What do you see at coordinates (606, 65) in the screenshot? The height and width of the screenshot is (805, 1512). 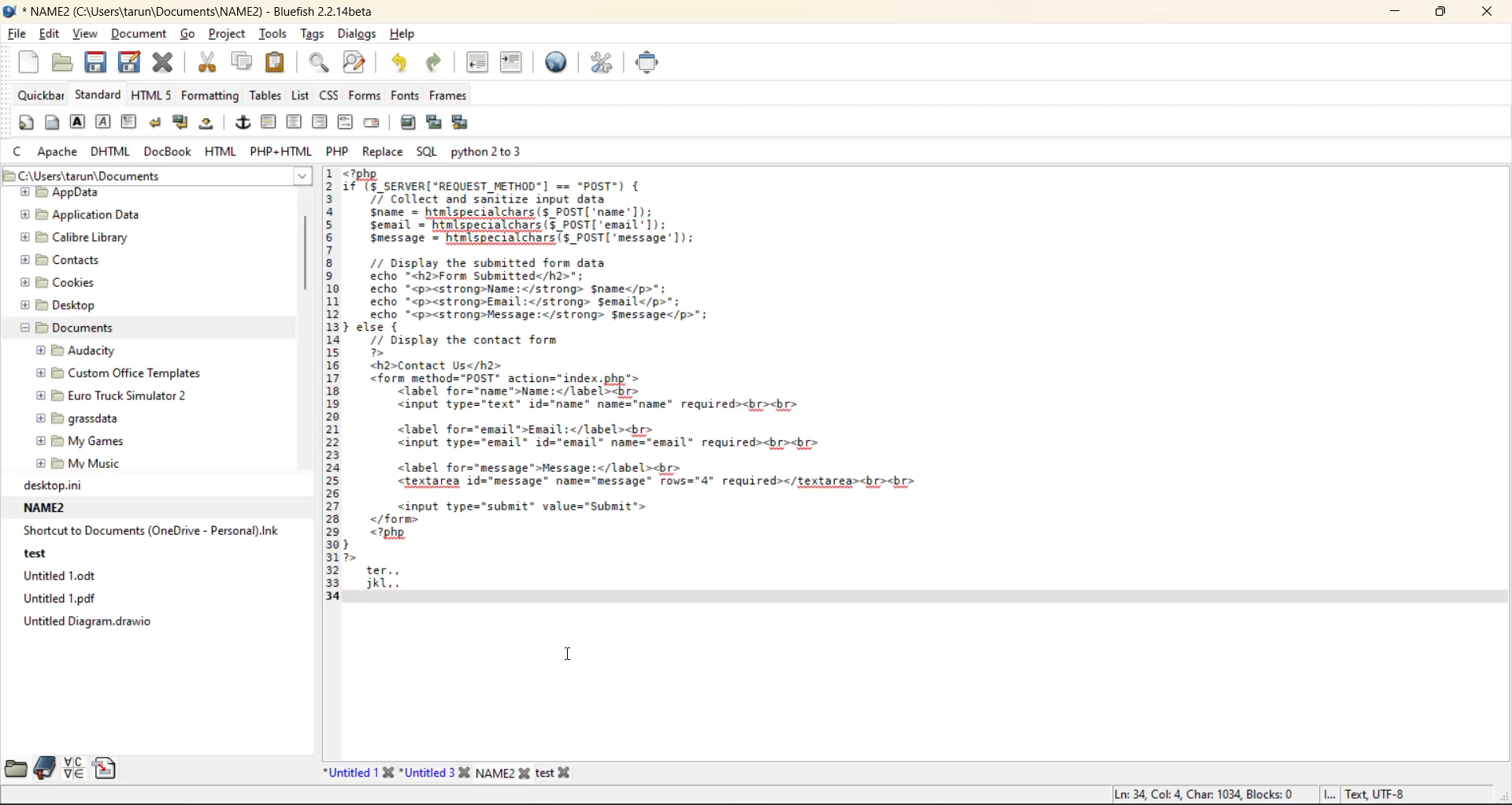 I see `edit preferences` at bounding box center [606, 65].